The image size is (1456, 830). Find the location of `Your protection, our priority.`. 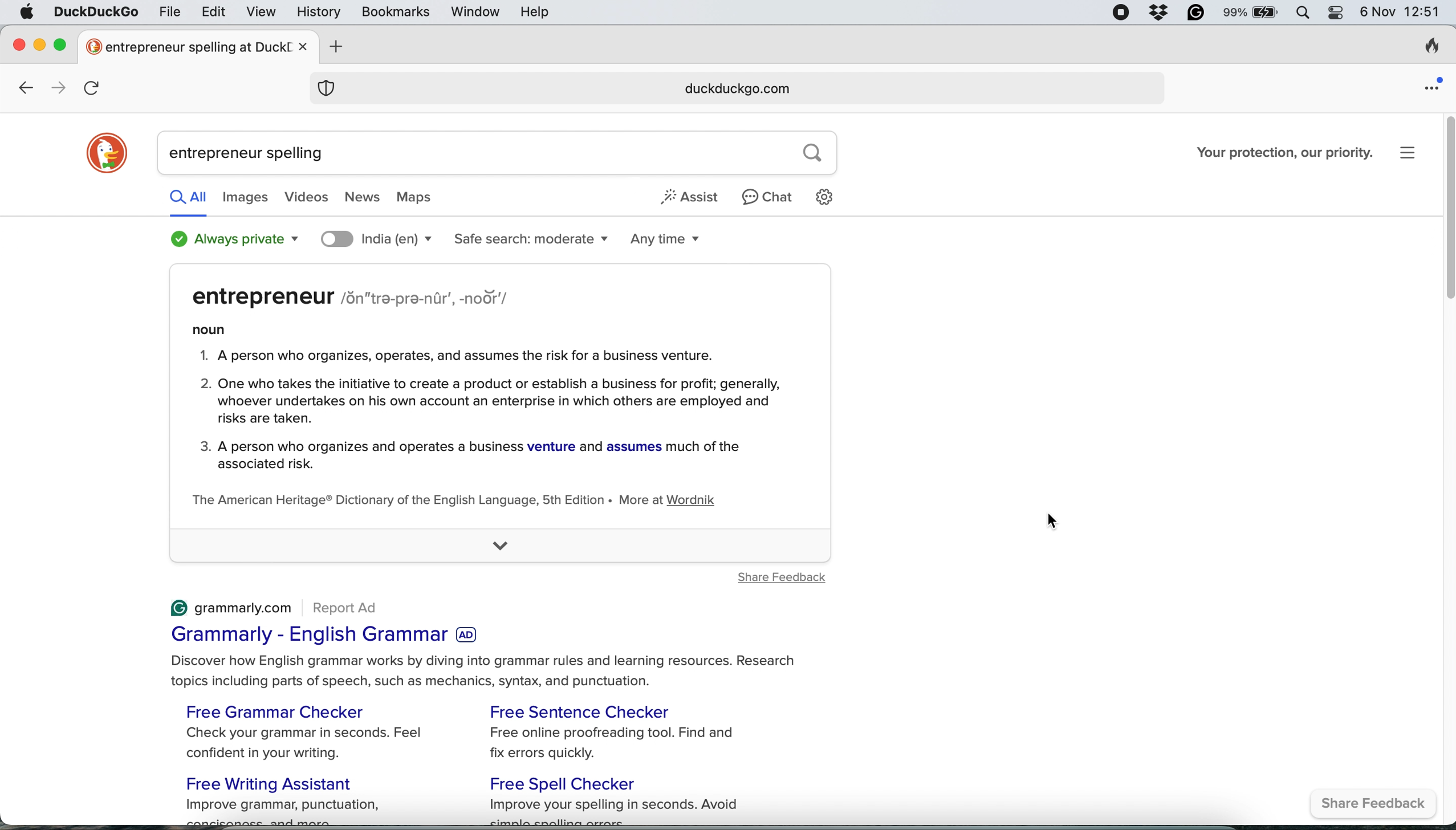

Your protection, our priority. is located at coordinates (1275, 153).